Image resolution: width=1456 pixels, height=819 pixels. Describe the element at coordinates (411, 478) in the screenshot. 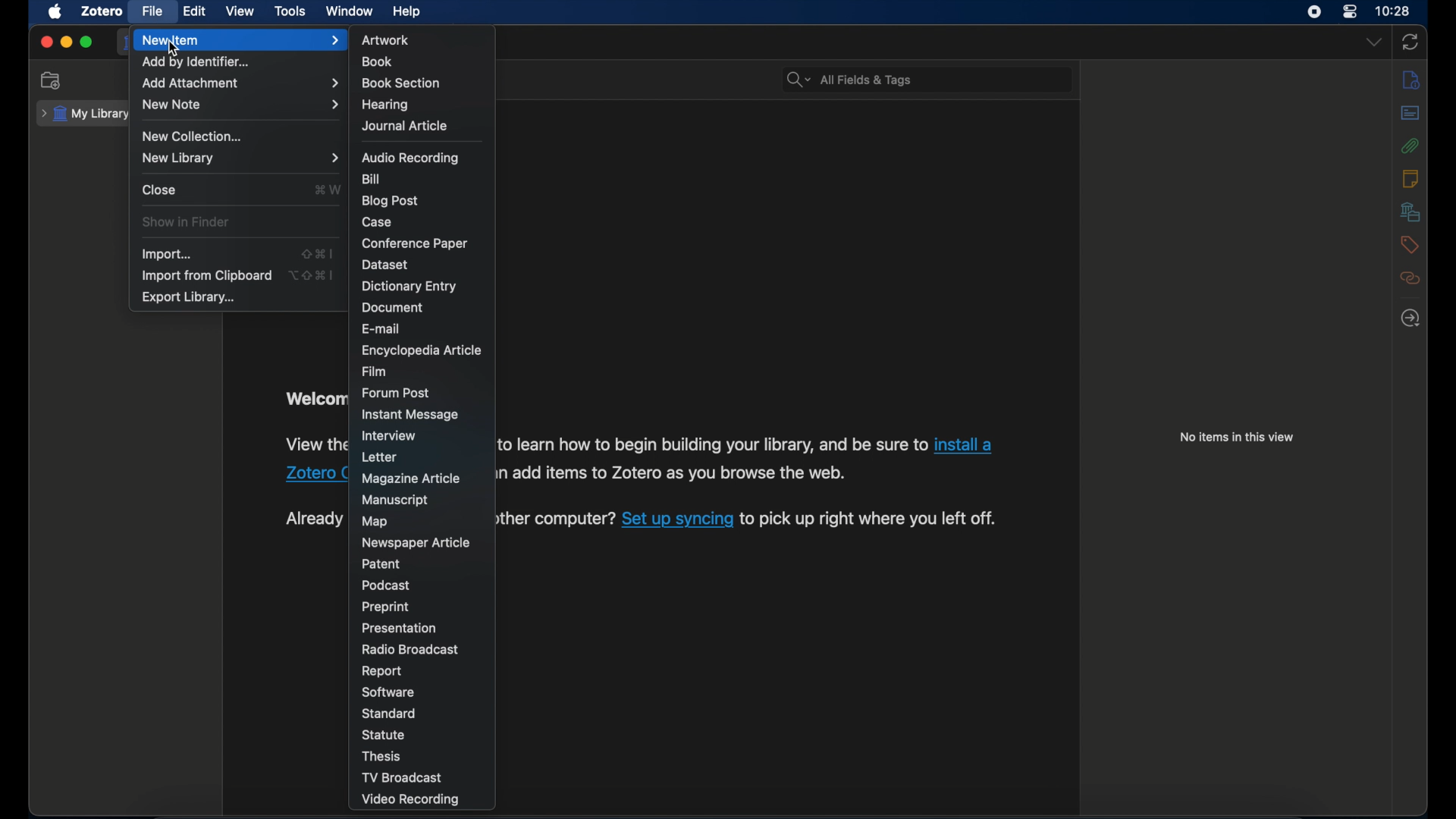

I see `magazine article` at that location.